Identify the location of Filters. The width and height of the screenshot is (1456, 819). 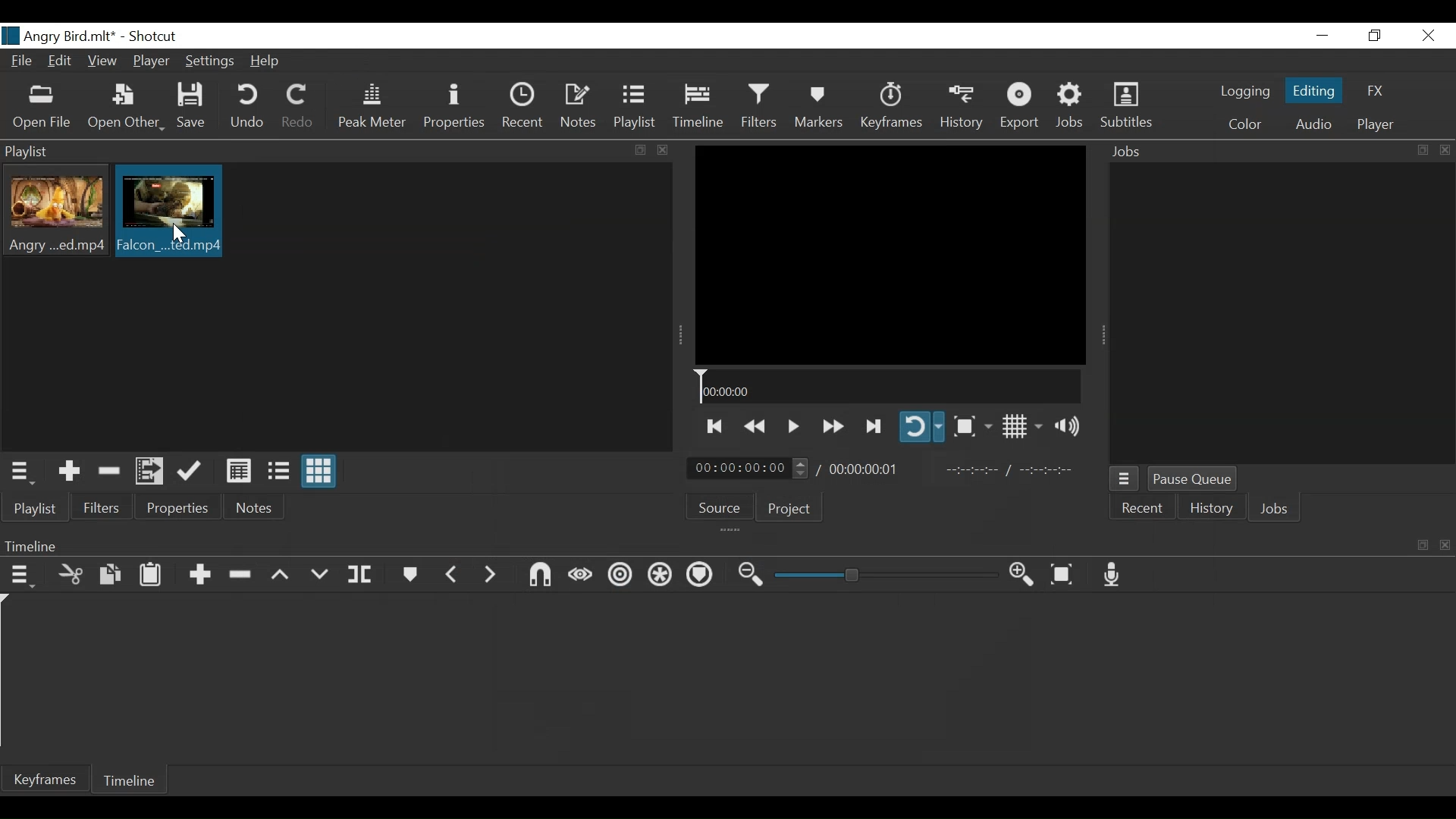
(761, 105).